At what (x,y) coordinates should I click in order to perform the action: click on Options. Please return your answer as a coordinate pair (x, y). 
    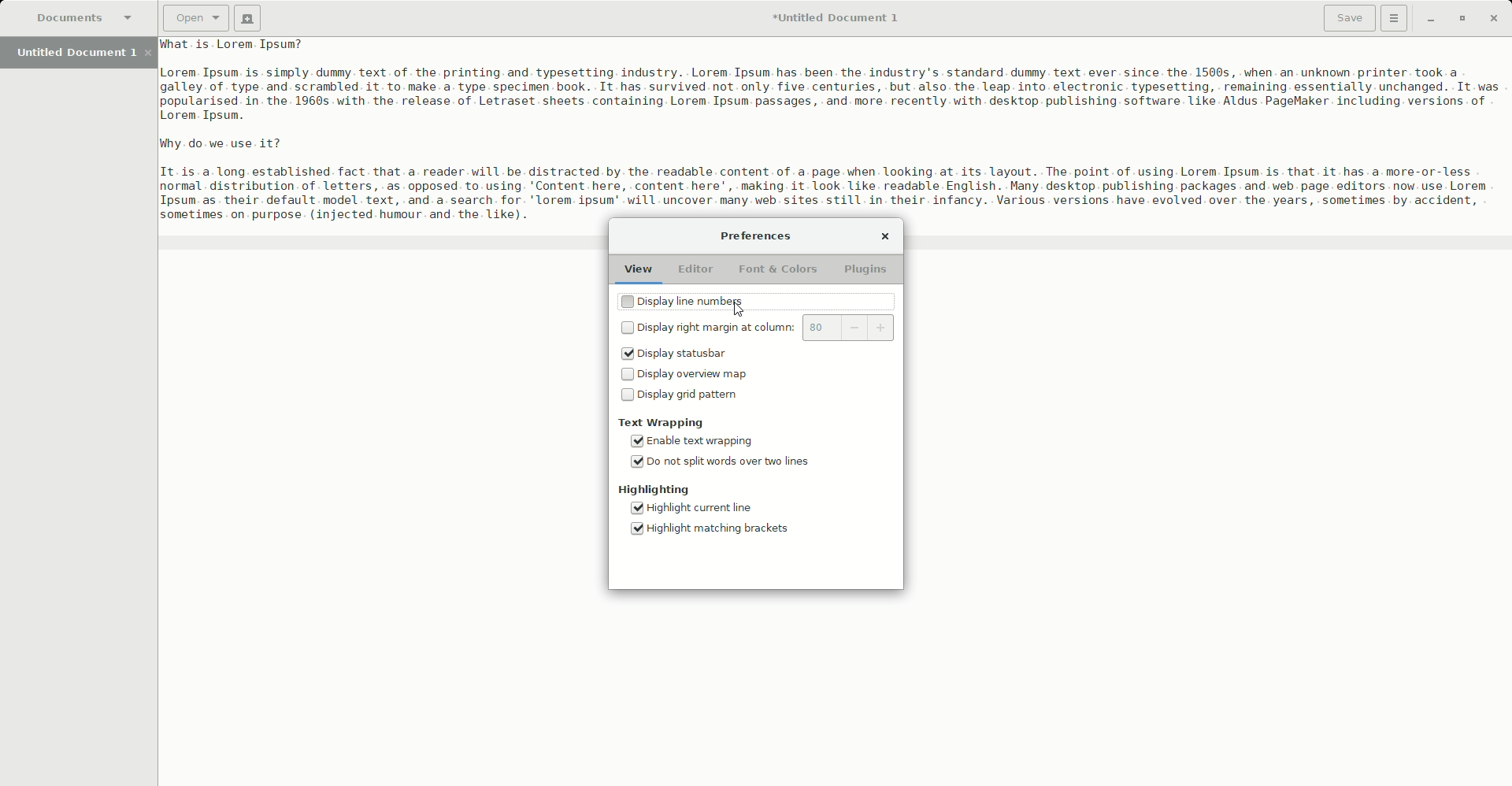
    Looking at the image, I should click on (1394, 17).